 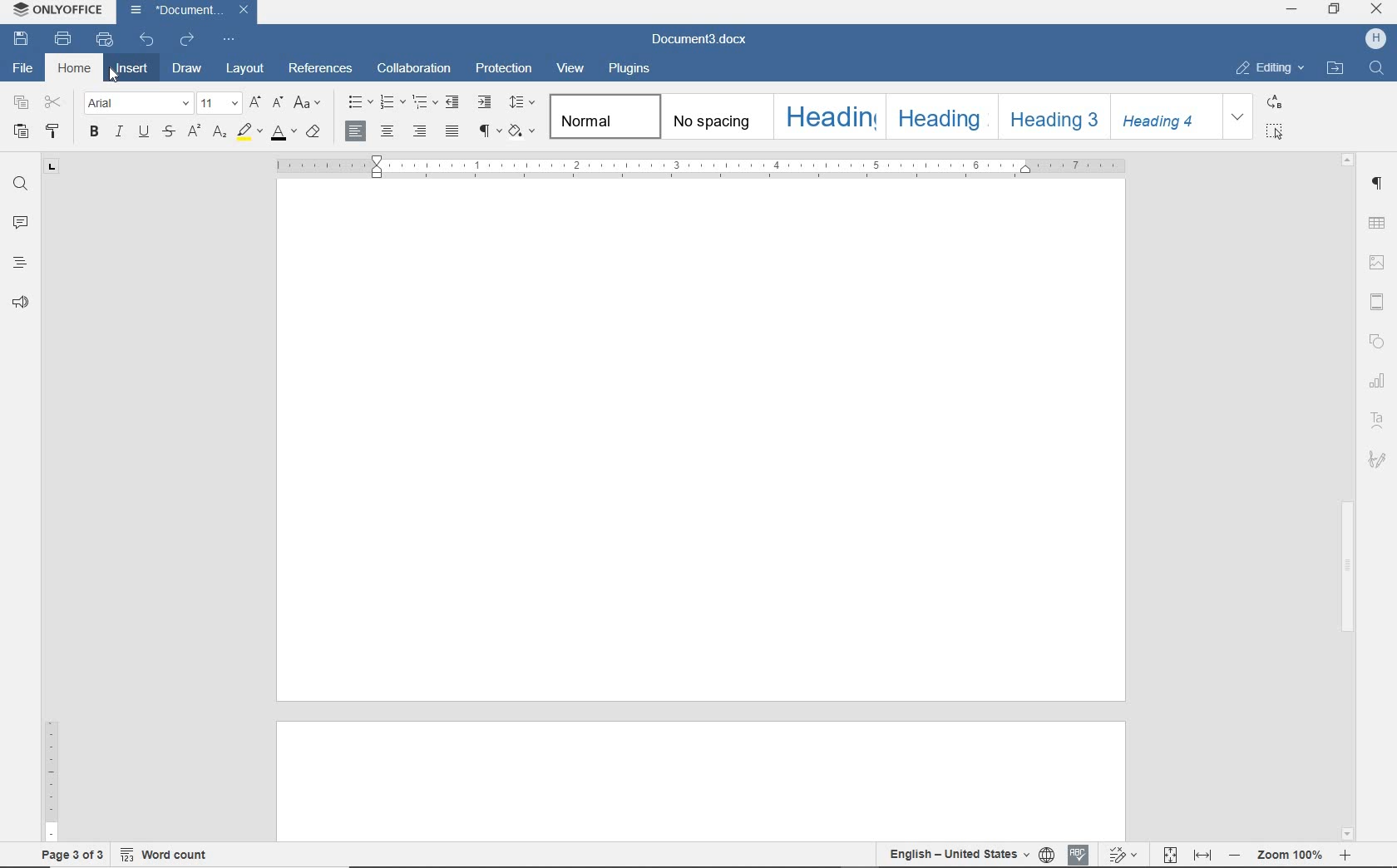 What do you see at coordinates (22, 130) in the screenshot?
I see `PASTE` at bounding box center [22, 130].